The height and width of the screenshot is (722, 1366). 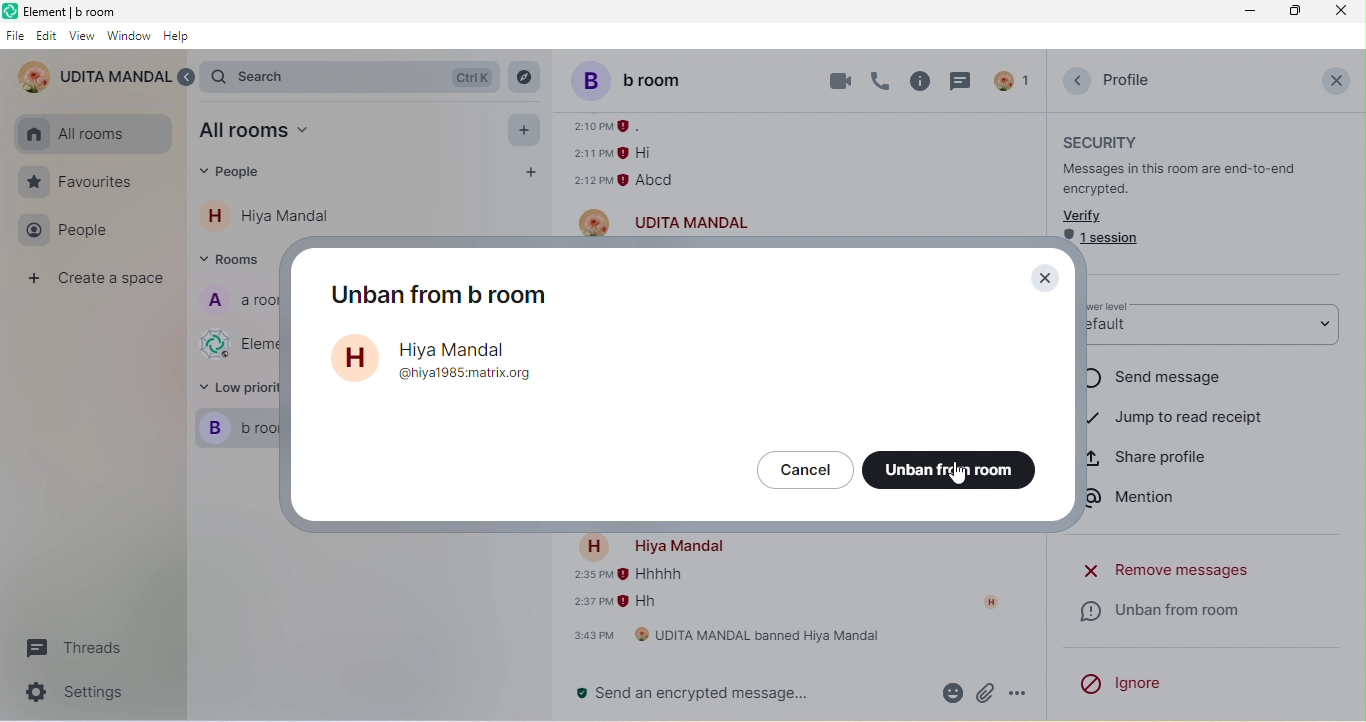 I want to click on low priority, so click(x=239, y=388).